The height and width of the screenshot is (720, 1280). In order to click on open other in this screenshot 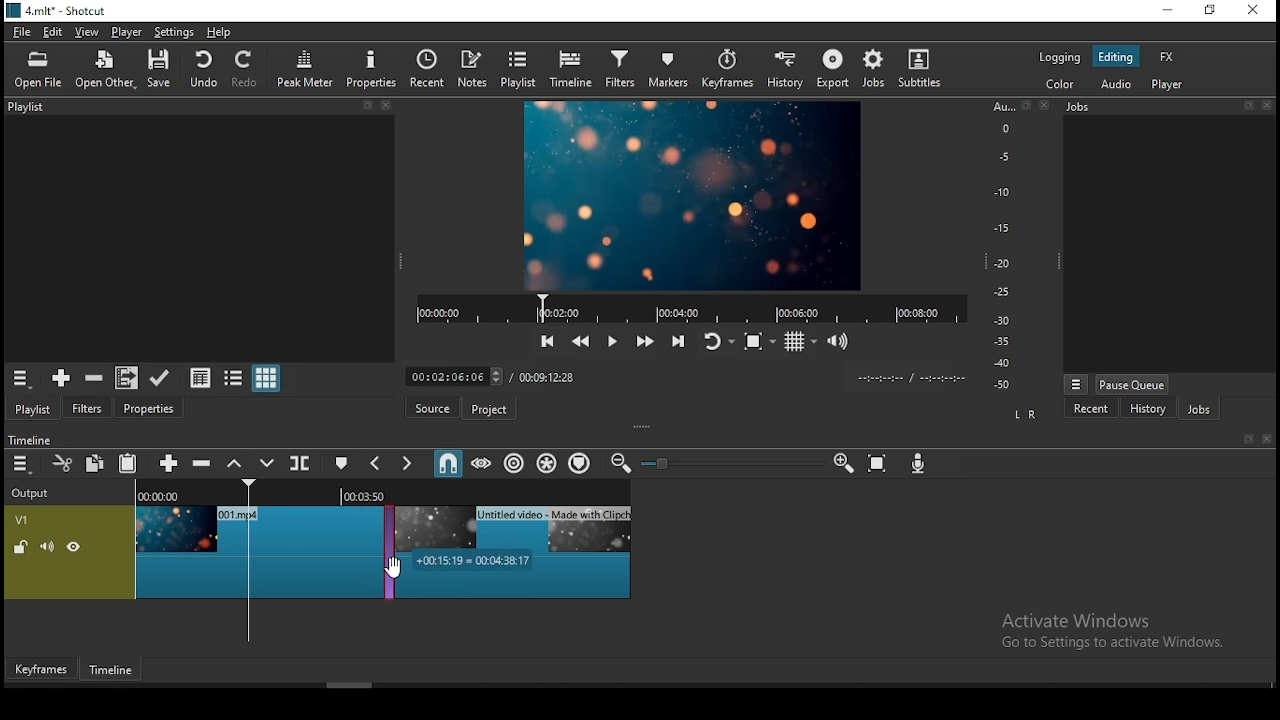, I will do `click(107, 70)`.